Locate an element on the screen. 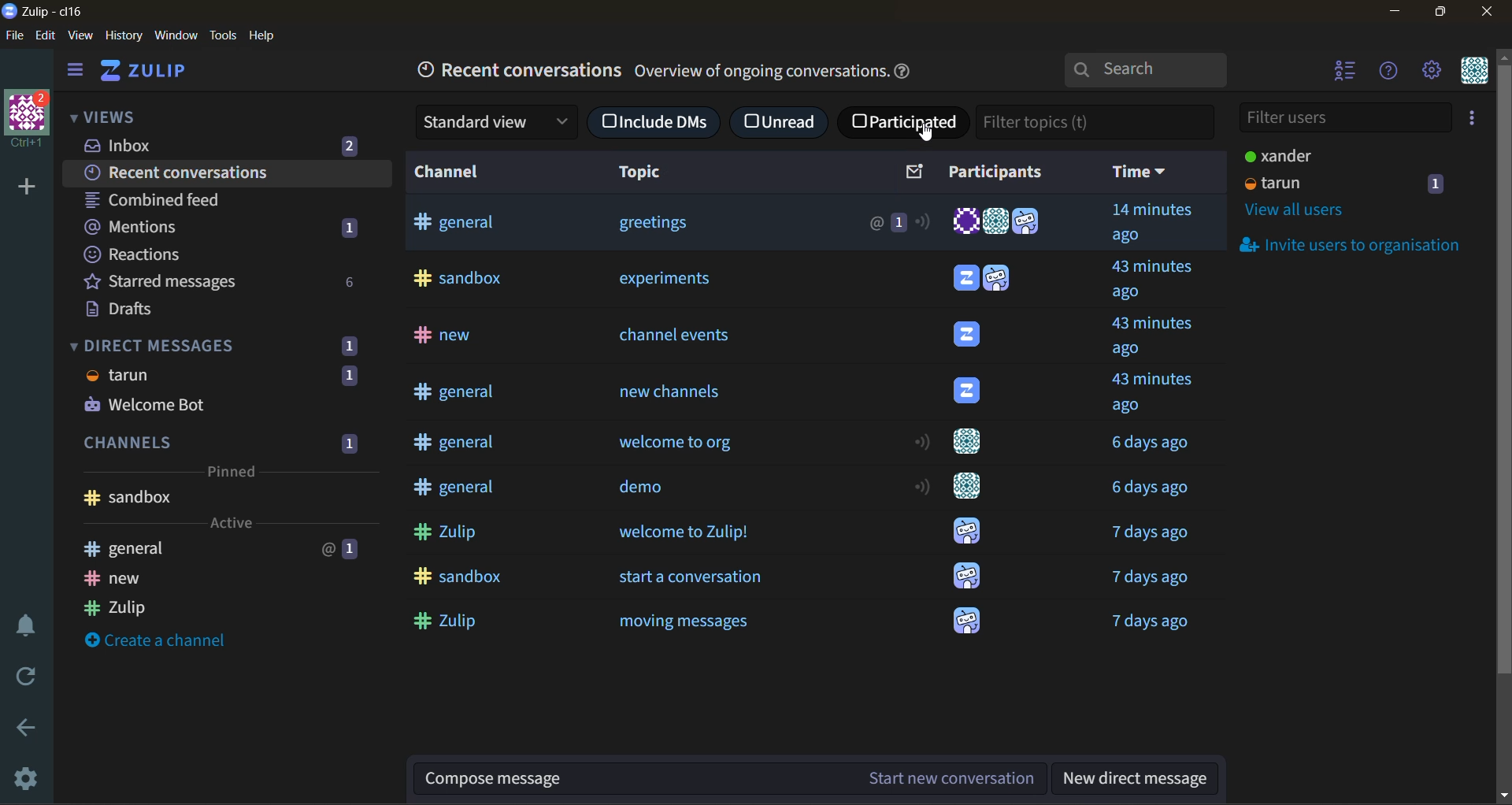 The image size is (1512, 805). users is located at coordinates (999, 220).